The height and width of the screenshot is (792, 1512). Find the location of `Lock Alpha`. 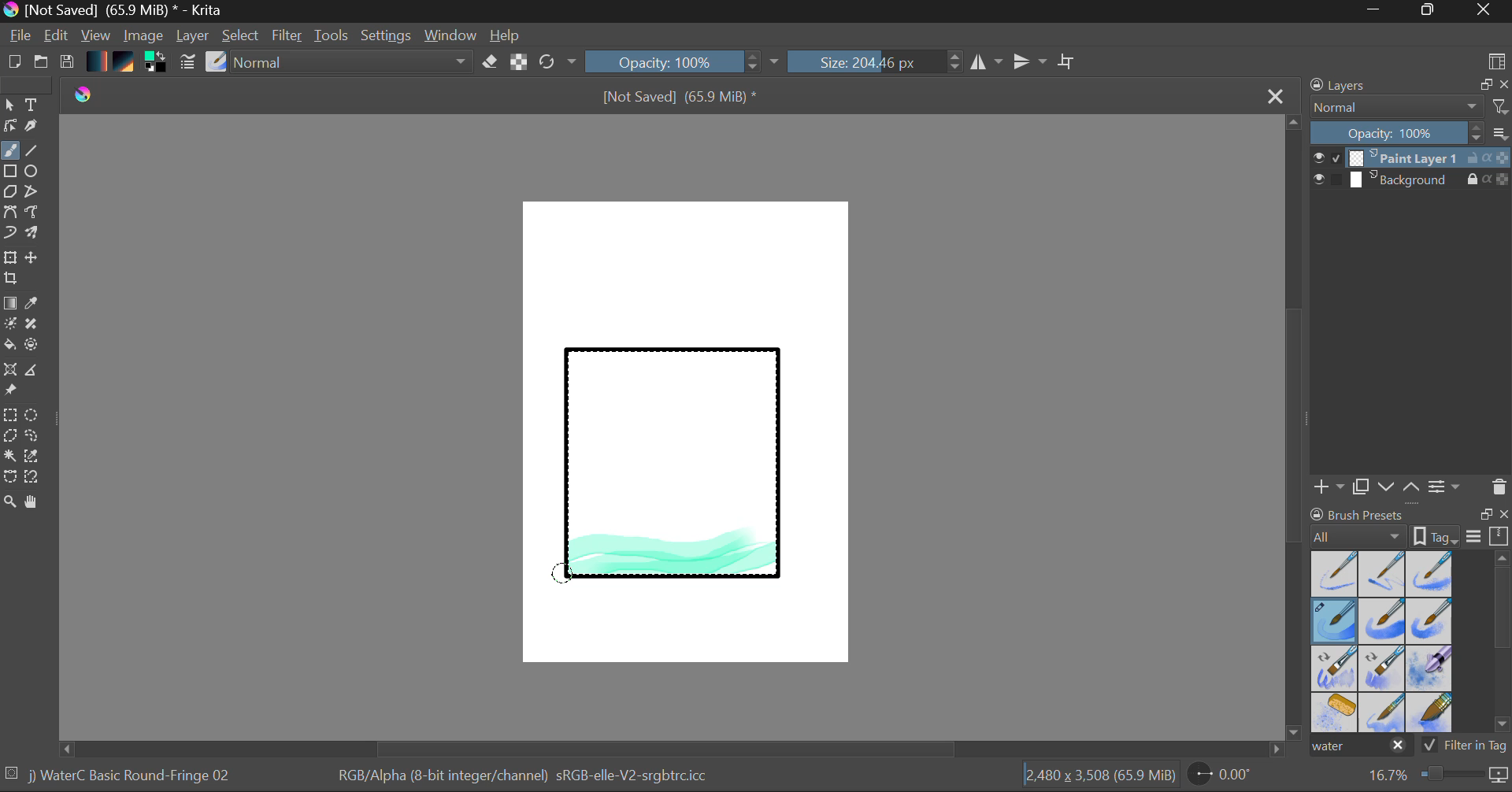

Lock Alpha is located at coordinates (517, 63).